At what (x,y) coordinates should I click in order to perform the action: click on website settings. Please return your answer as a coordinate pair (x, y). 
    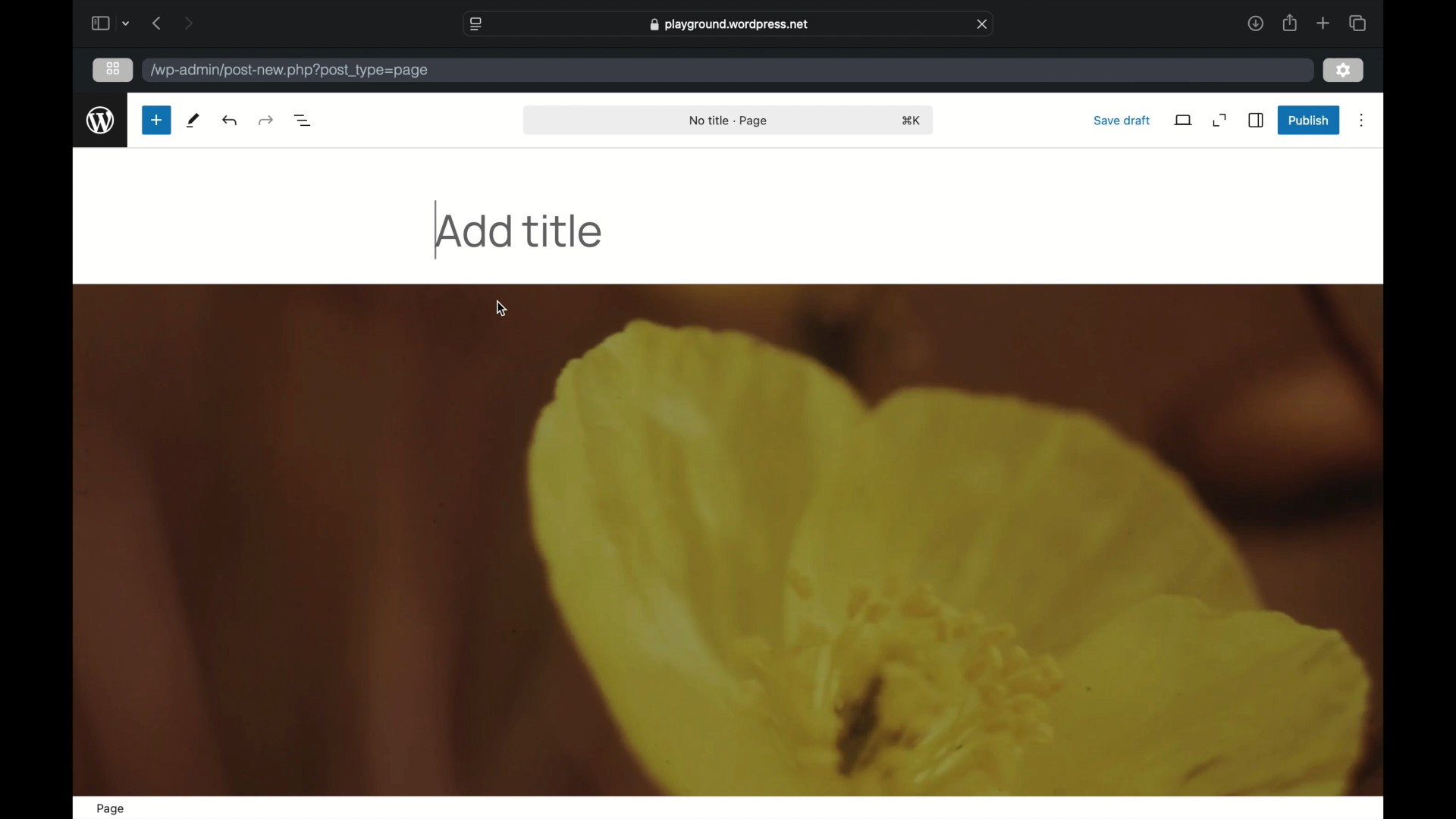
    Looking at the image, I should click on (475, 24).